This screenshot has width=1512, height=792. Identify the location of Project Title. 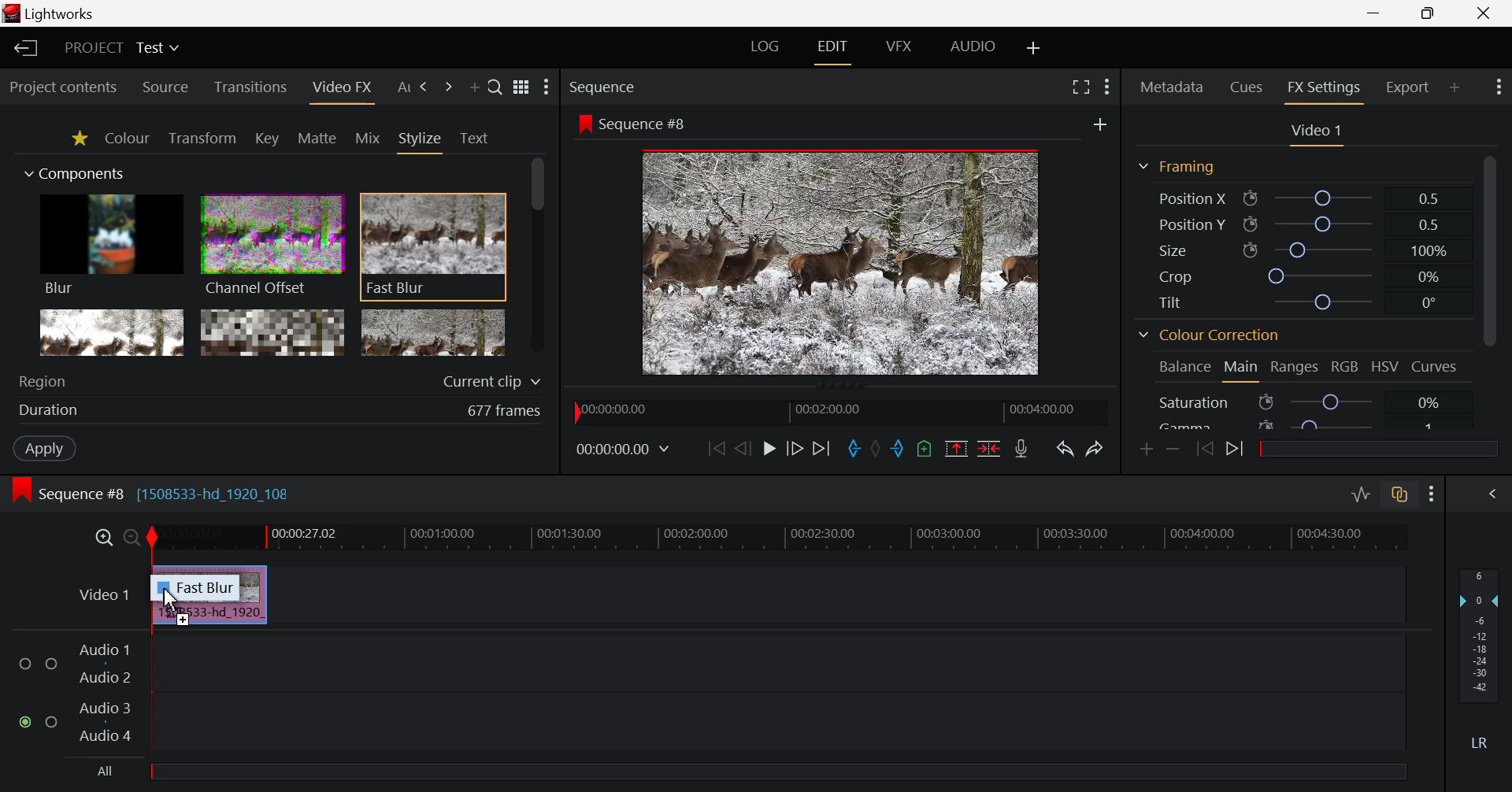
(121, 46).